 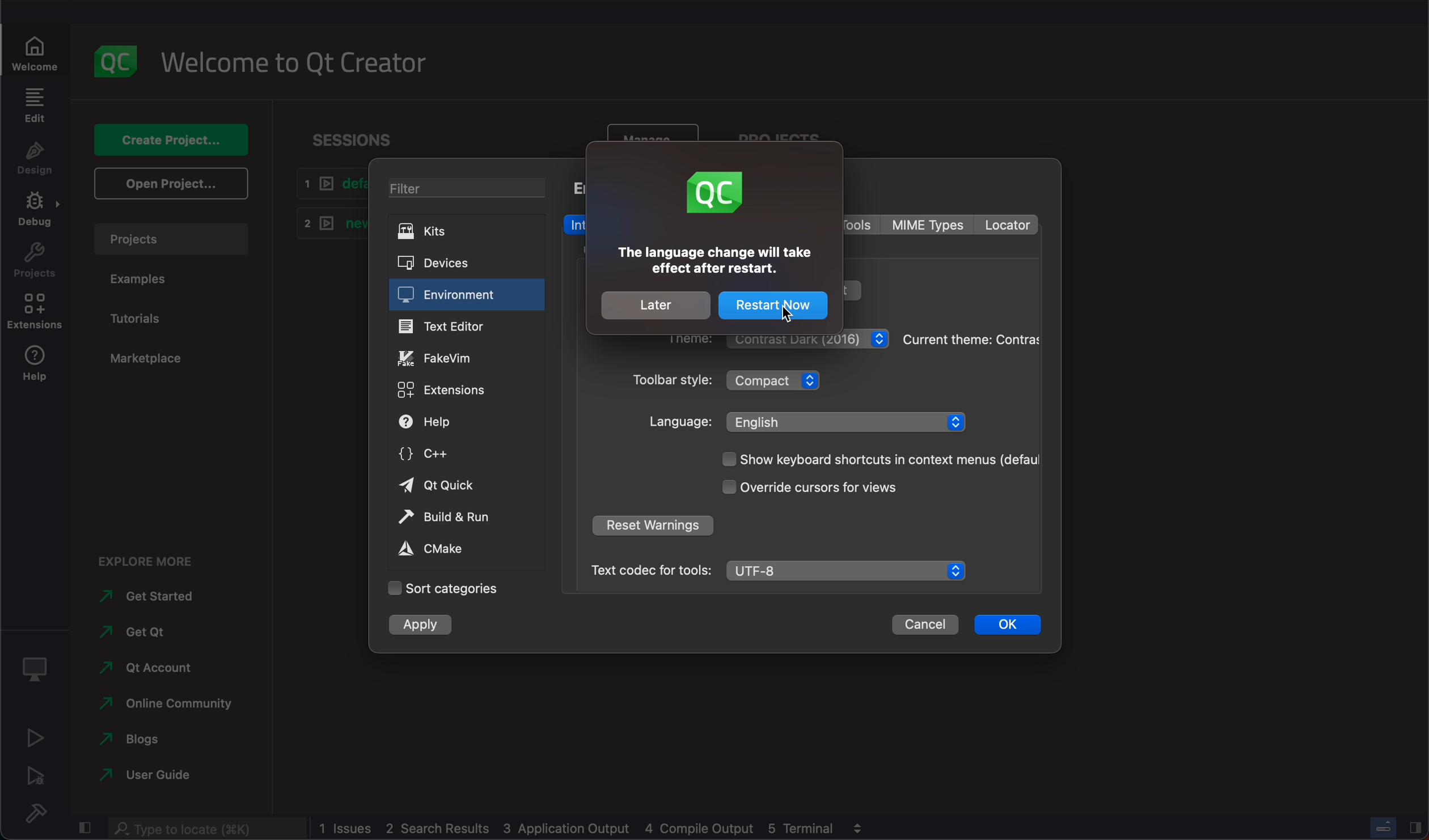 What do you see at coordinates (645, 570) in the screenshot?
I see `Text codec for tools` at bounding box center [645, 570].